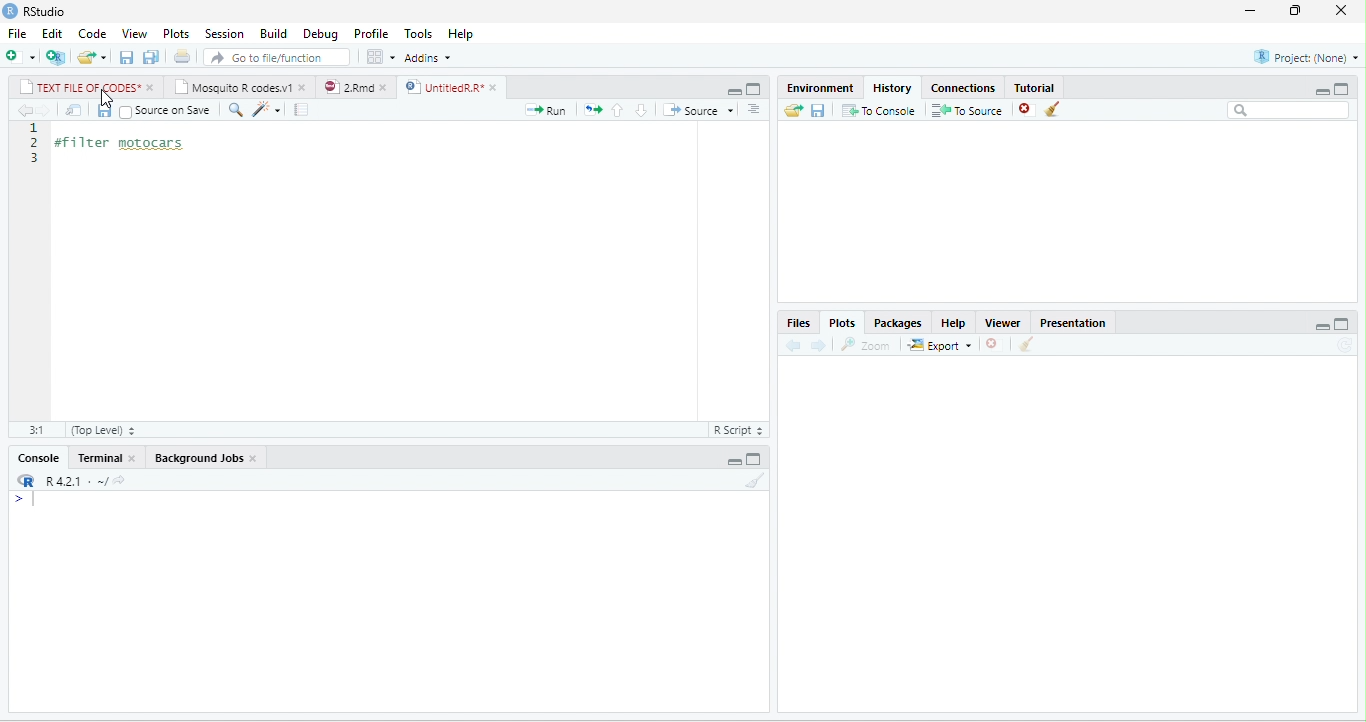  What do you see at coordinates (371, 34) in the screenshot?
I see `Profile` at bounding box center [371, 34].